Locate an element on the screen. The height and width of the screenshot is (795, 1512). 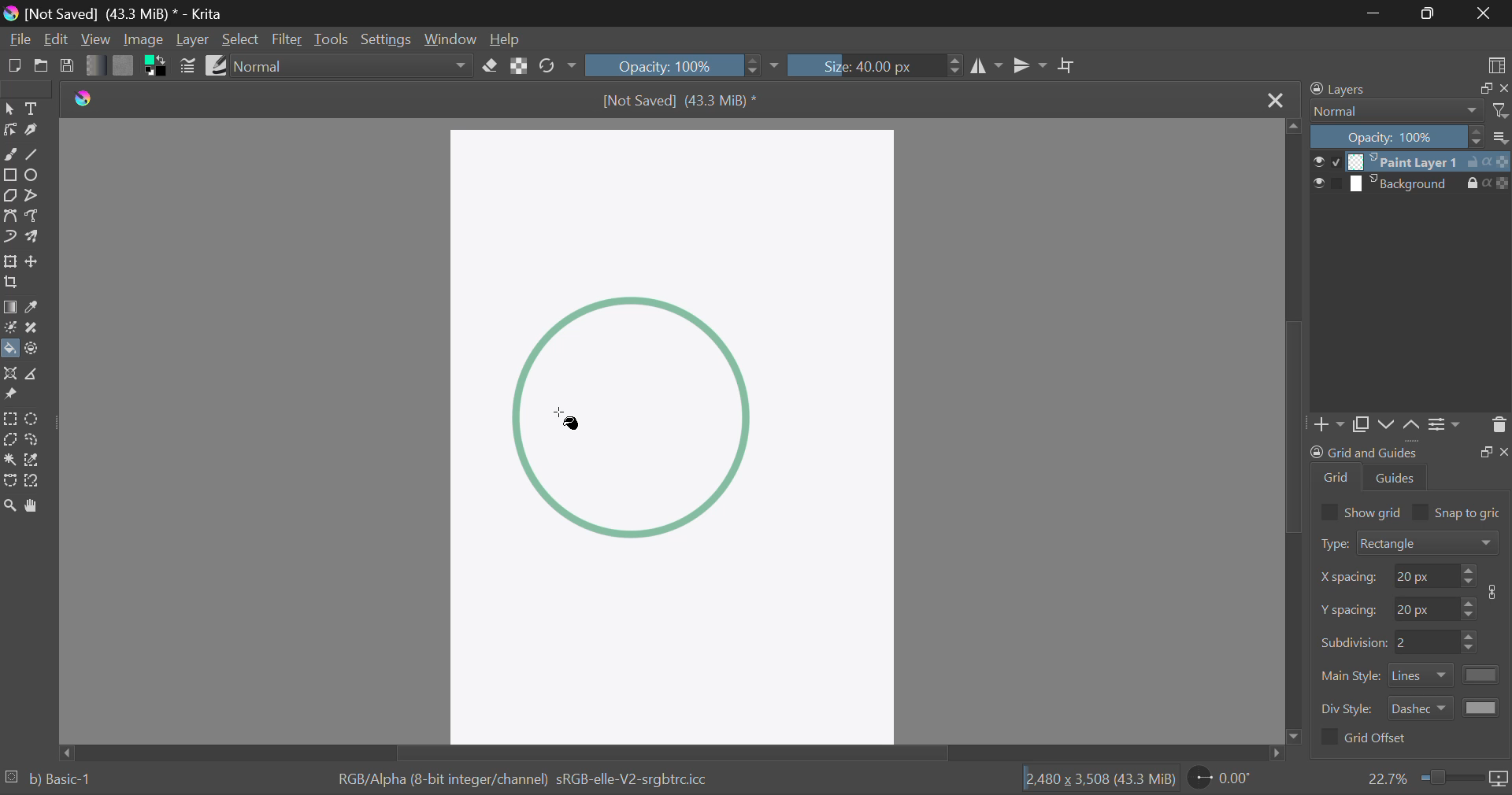
Magnetic Selection is located at coordinates (35, 480).